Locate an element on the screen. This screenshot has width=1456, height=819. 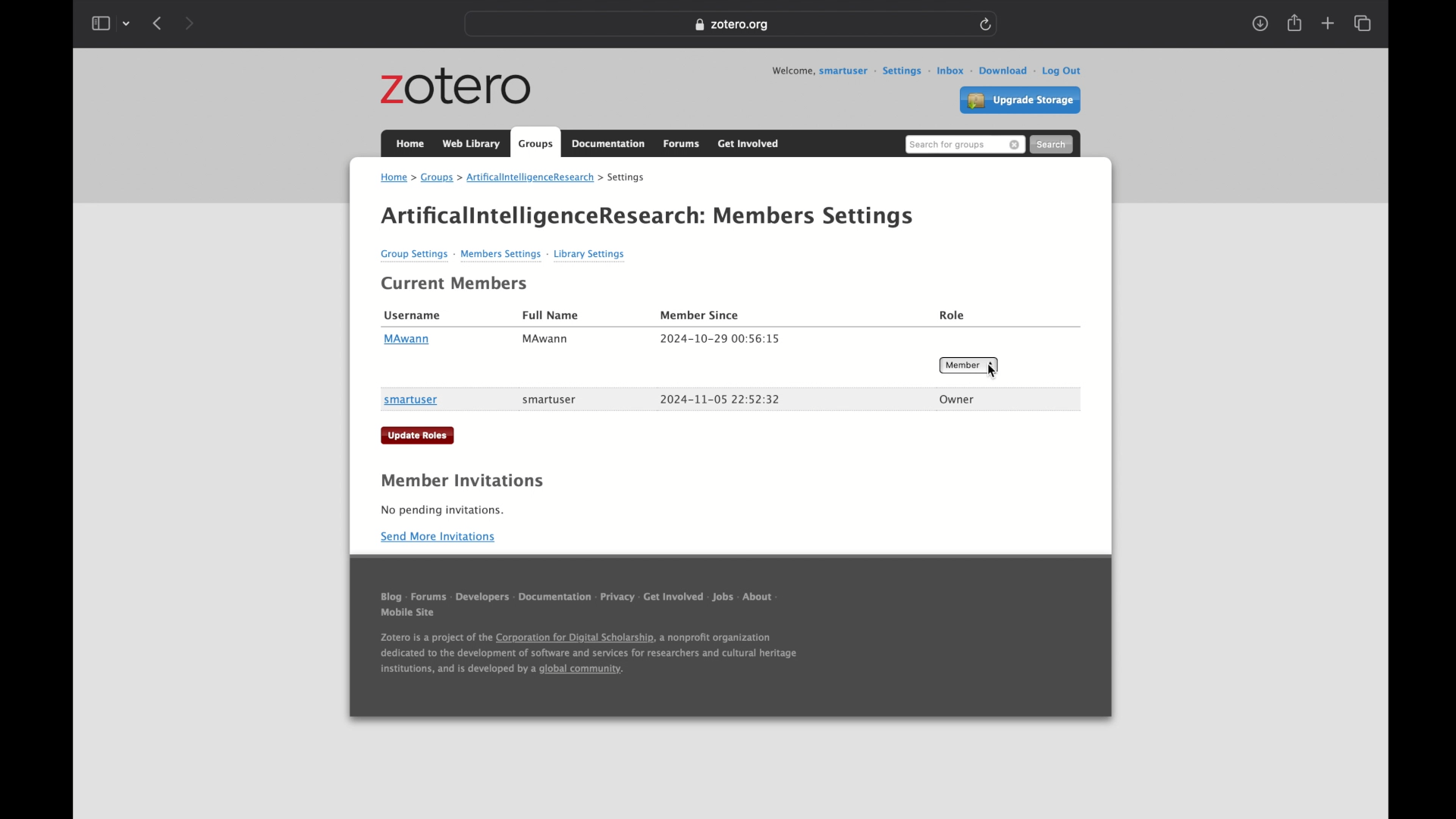
back is located at coordinates (157, 23).